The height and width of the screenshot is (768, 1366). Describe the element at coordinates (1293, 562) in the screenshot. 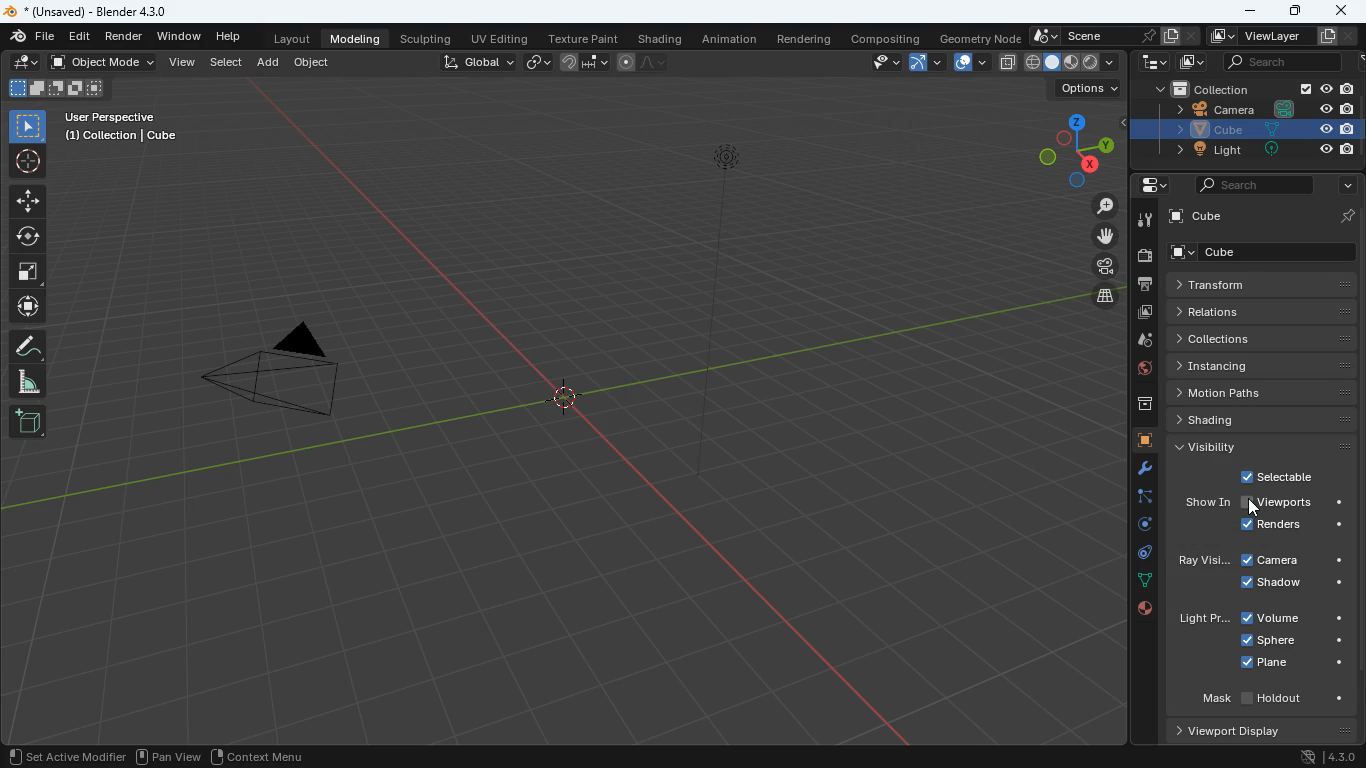

I see `camera` at that location.